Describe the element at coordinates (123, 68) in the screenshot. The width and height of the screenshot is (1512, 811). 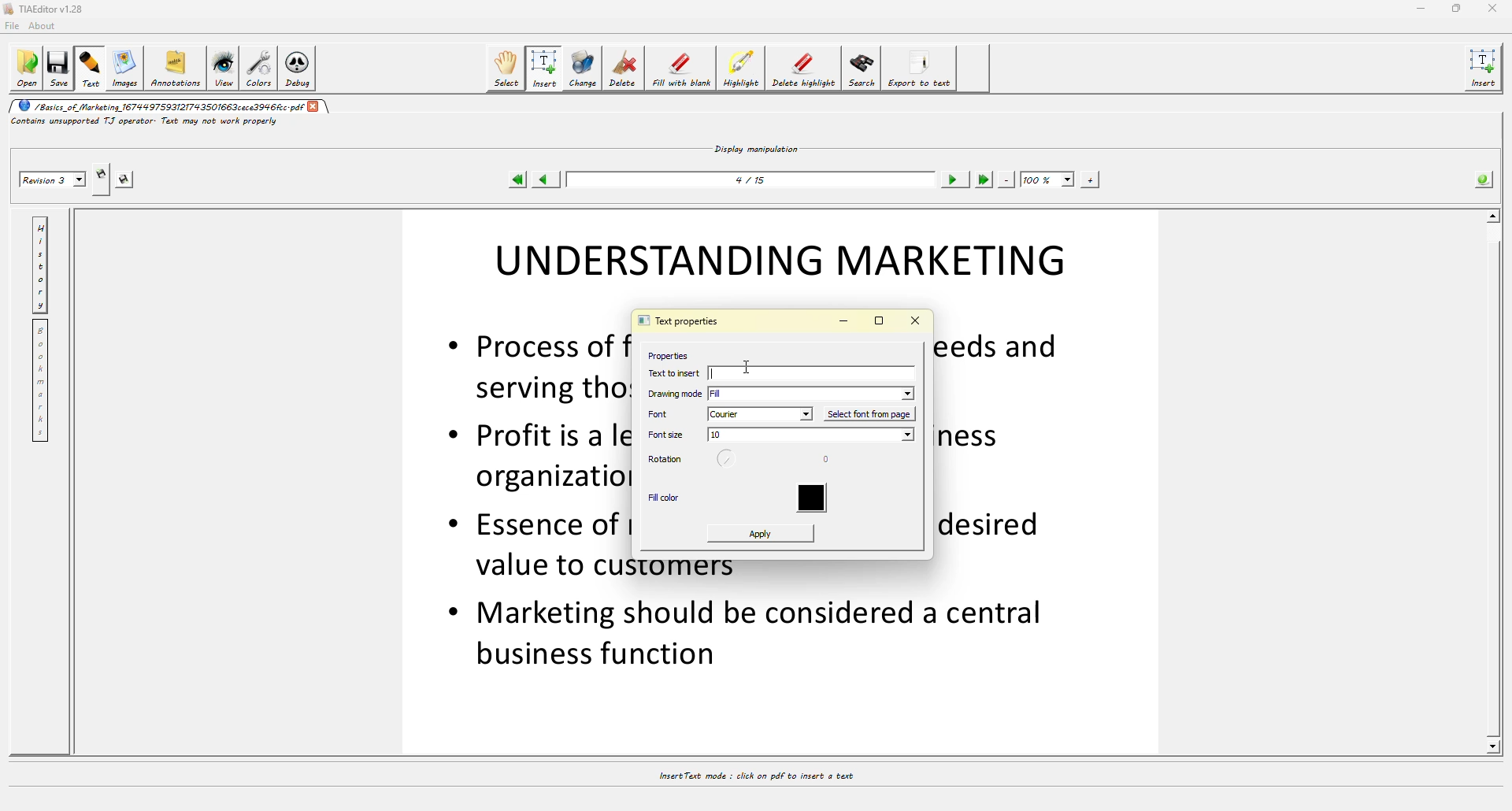
I see `images` at that location.